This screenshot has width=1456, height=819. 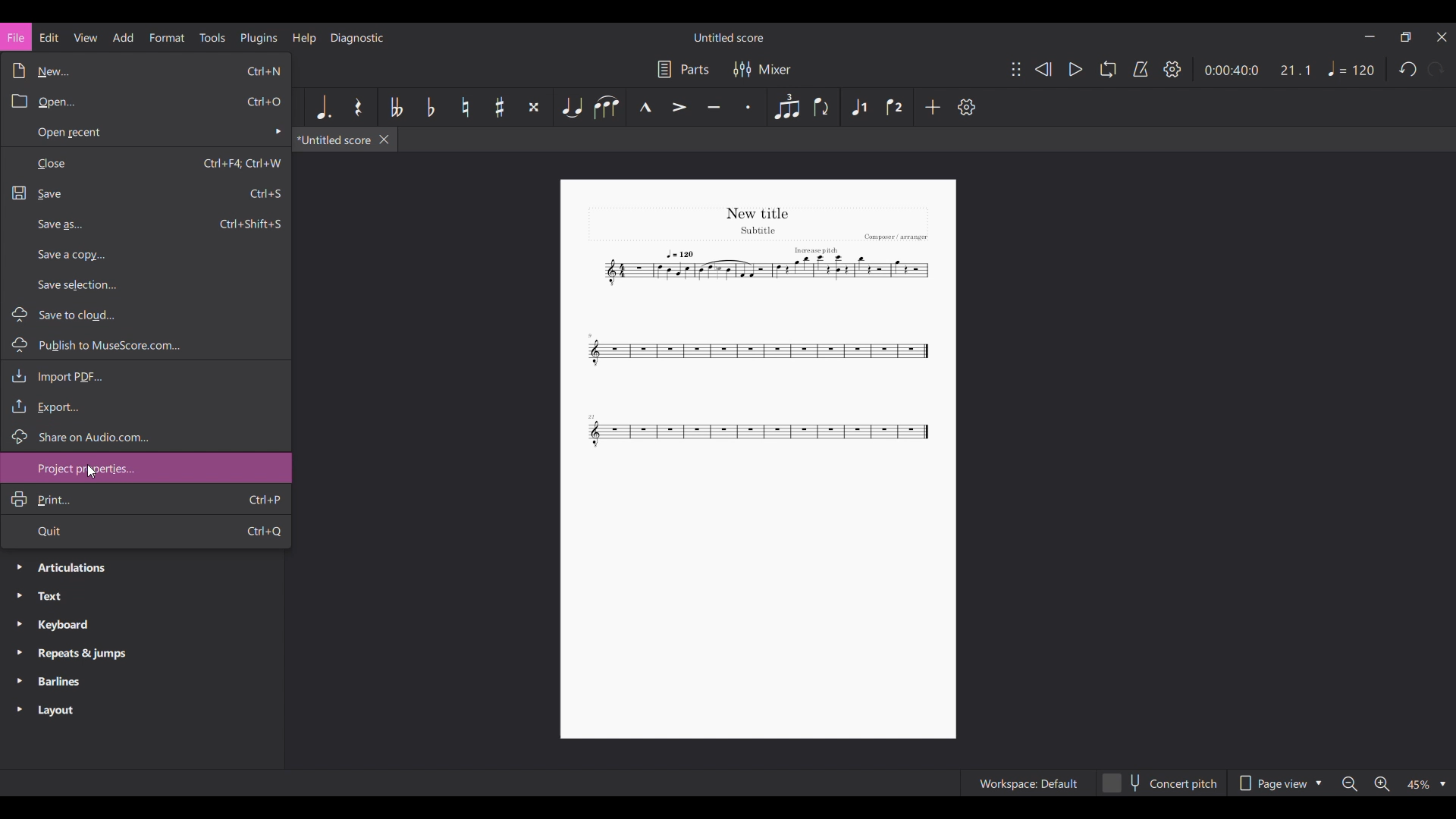 I want to click on Text, so click(x=142, y=596).